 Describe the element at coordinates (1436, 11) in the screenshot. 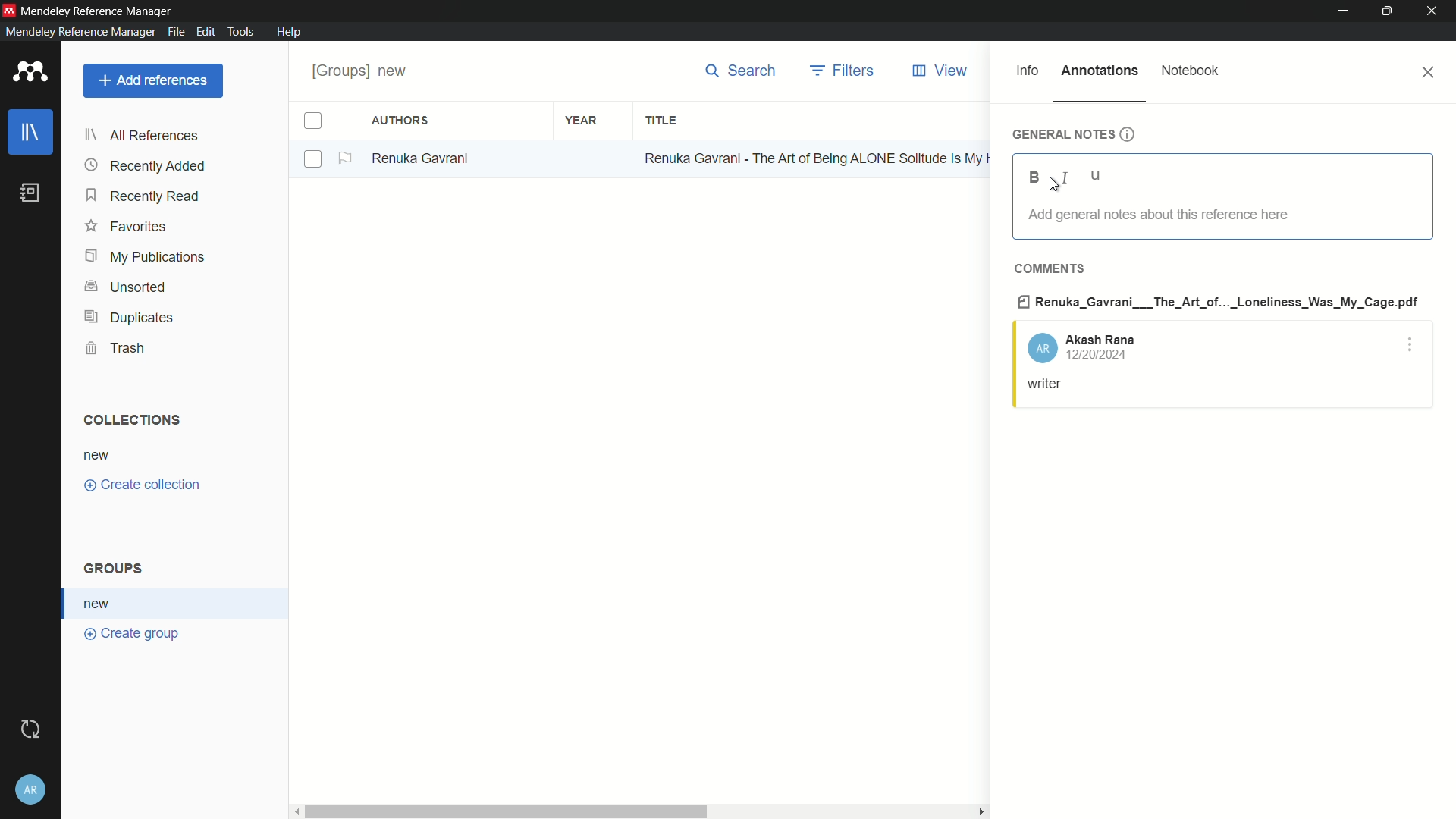

I see `close app` at that location.